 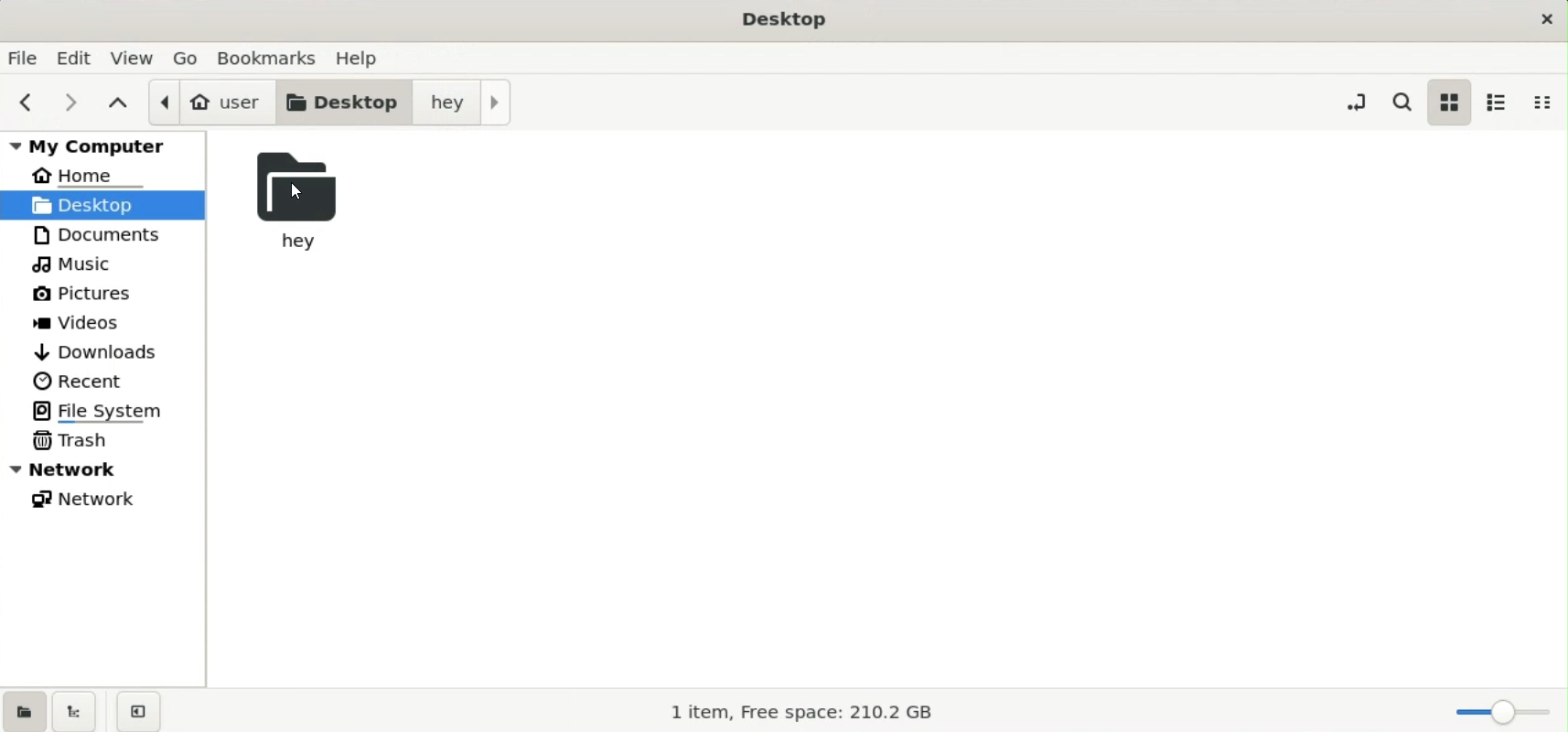 I want to click on hey, so click(x=467, y=103).